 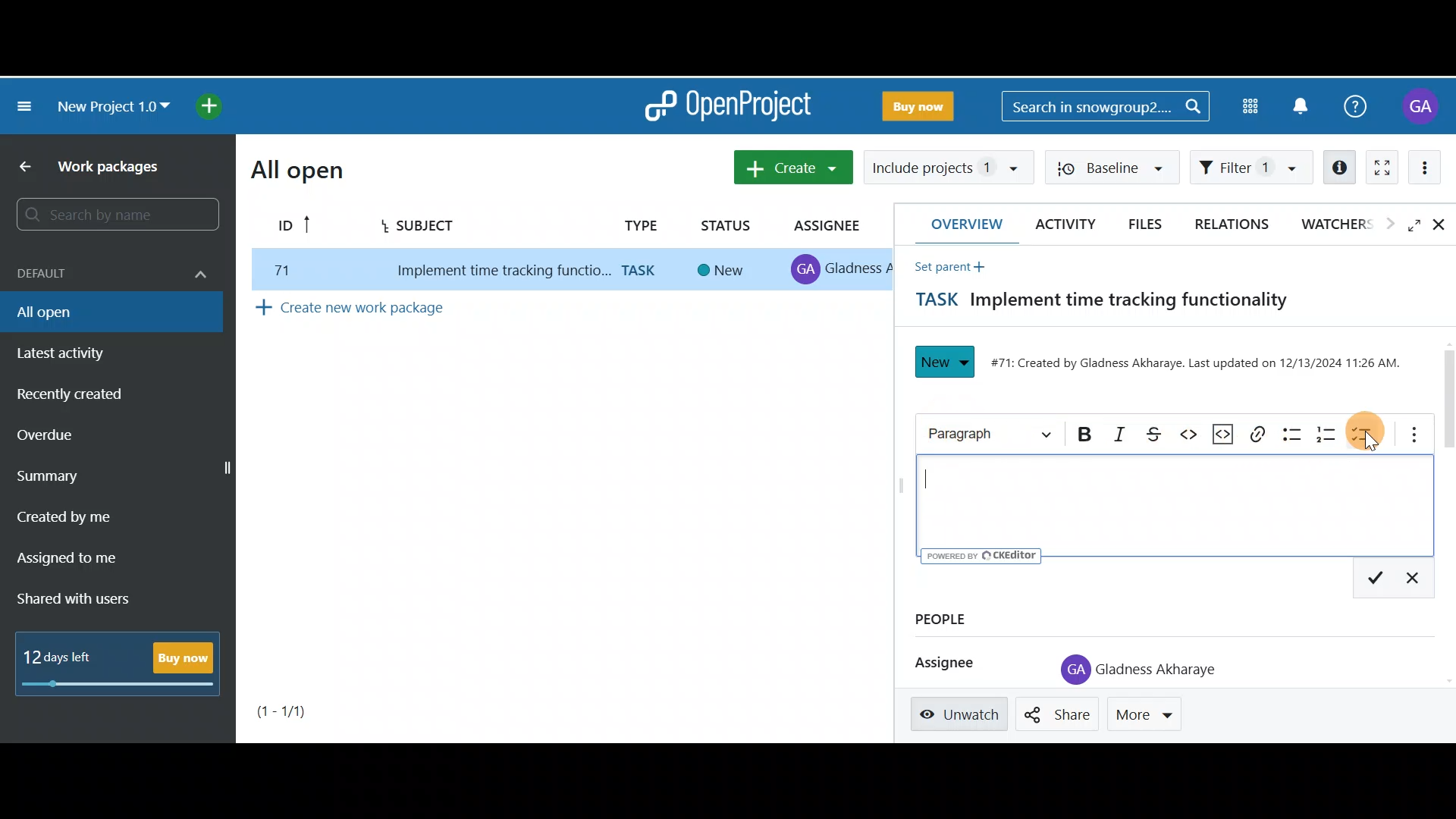 I want to click on Task title, so click(x=1091, y=303).